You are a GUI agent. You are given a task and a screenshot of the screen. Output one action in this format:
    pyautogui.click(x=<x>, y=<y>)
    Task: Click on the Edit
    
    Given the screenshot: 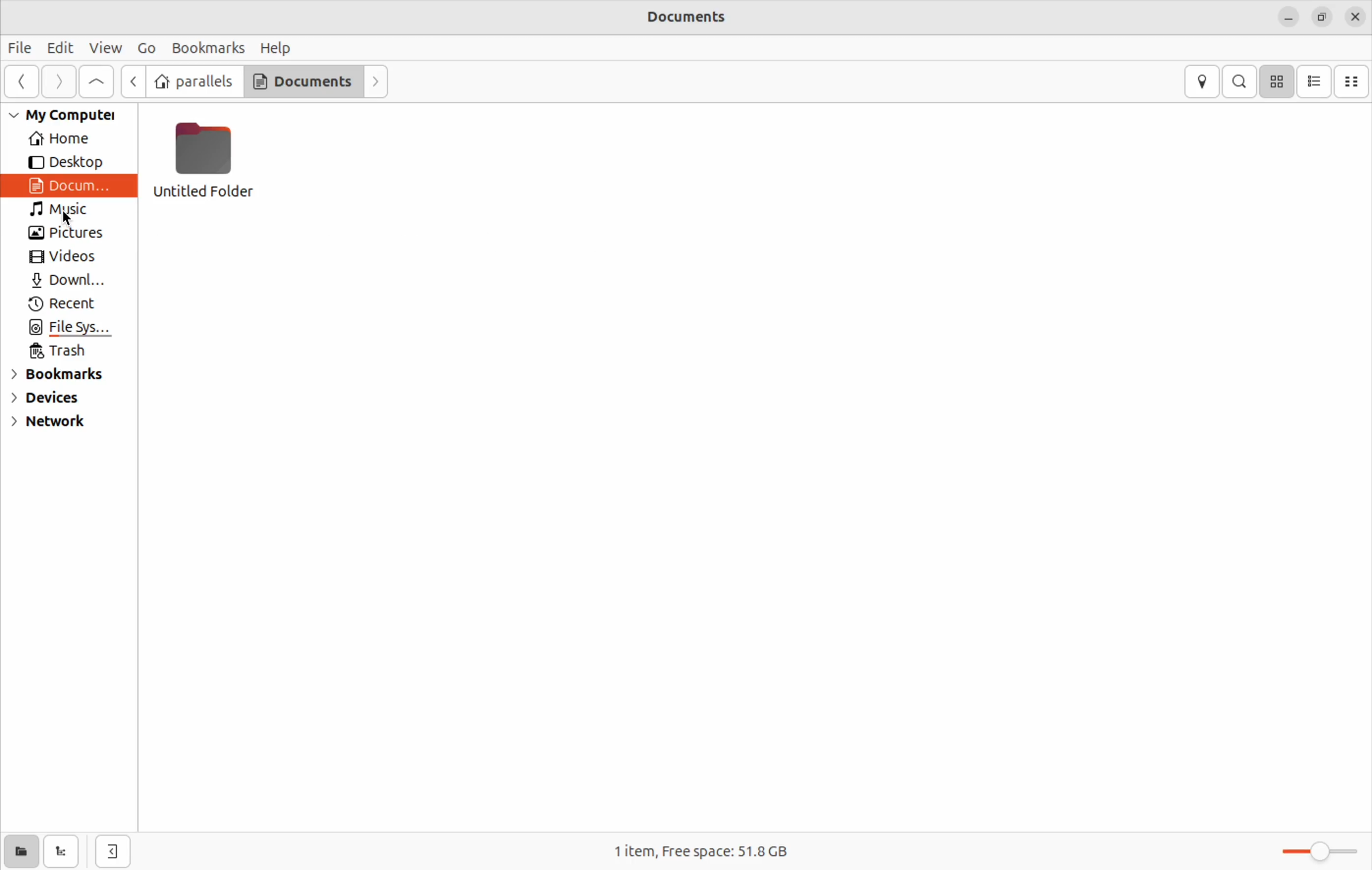 What is the action you would take?
    pyautogui.click(x=59, y=47)
    